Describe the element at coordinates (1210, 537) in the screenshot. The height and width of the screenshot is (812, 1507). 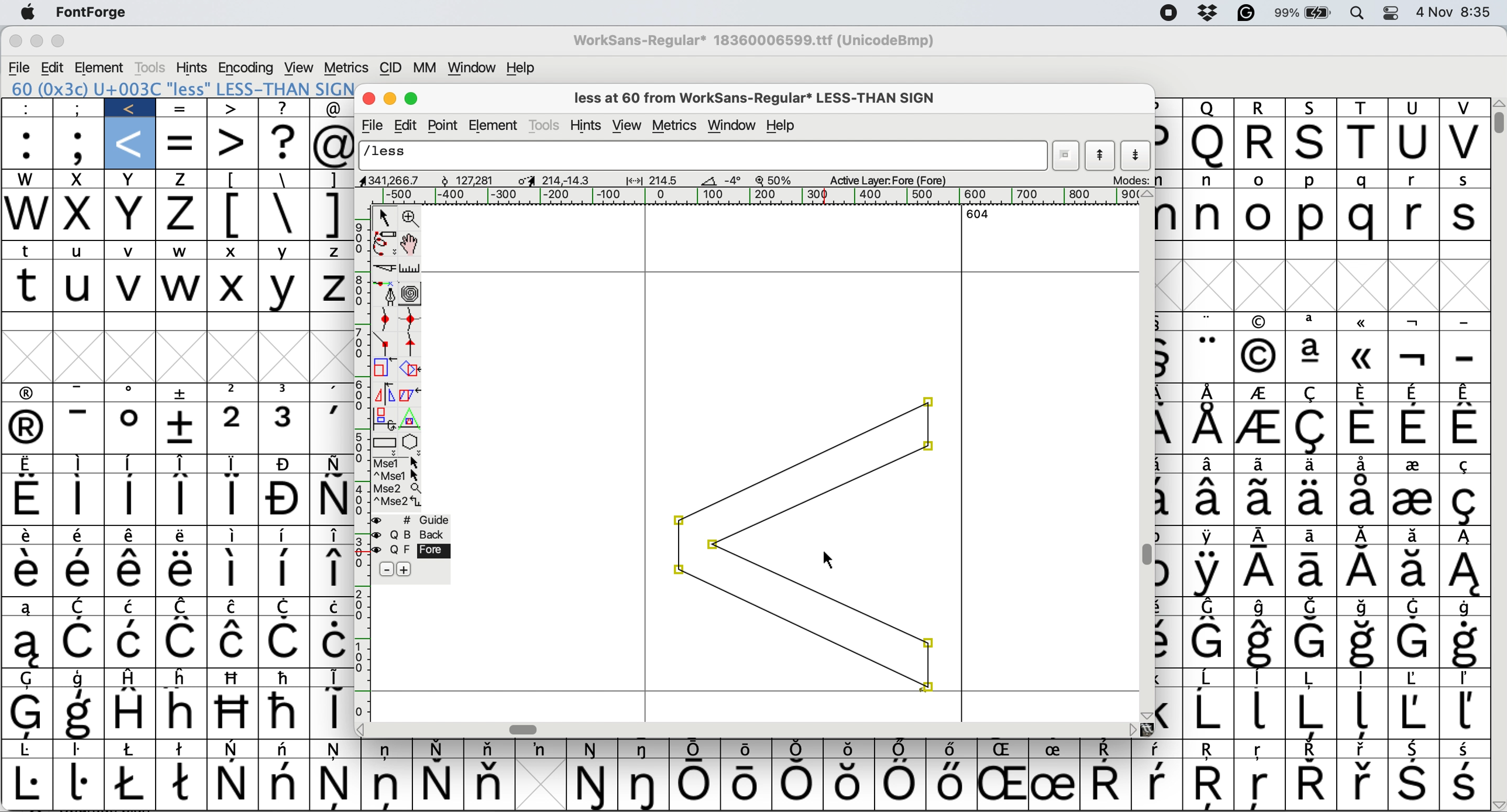
I see `Symbol` at that location.